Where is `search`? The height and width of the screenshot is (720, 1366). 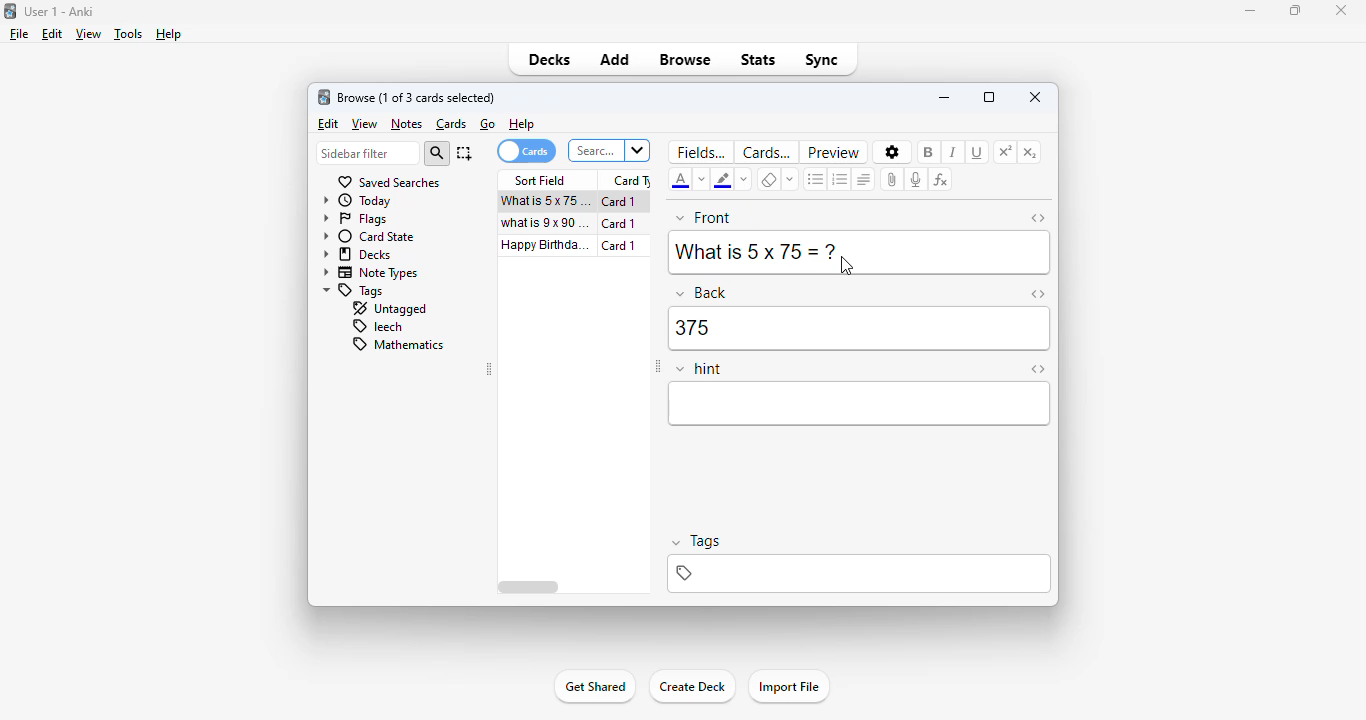
search is located at coordinates (610, 151).